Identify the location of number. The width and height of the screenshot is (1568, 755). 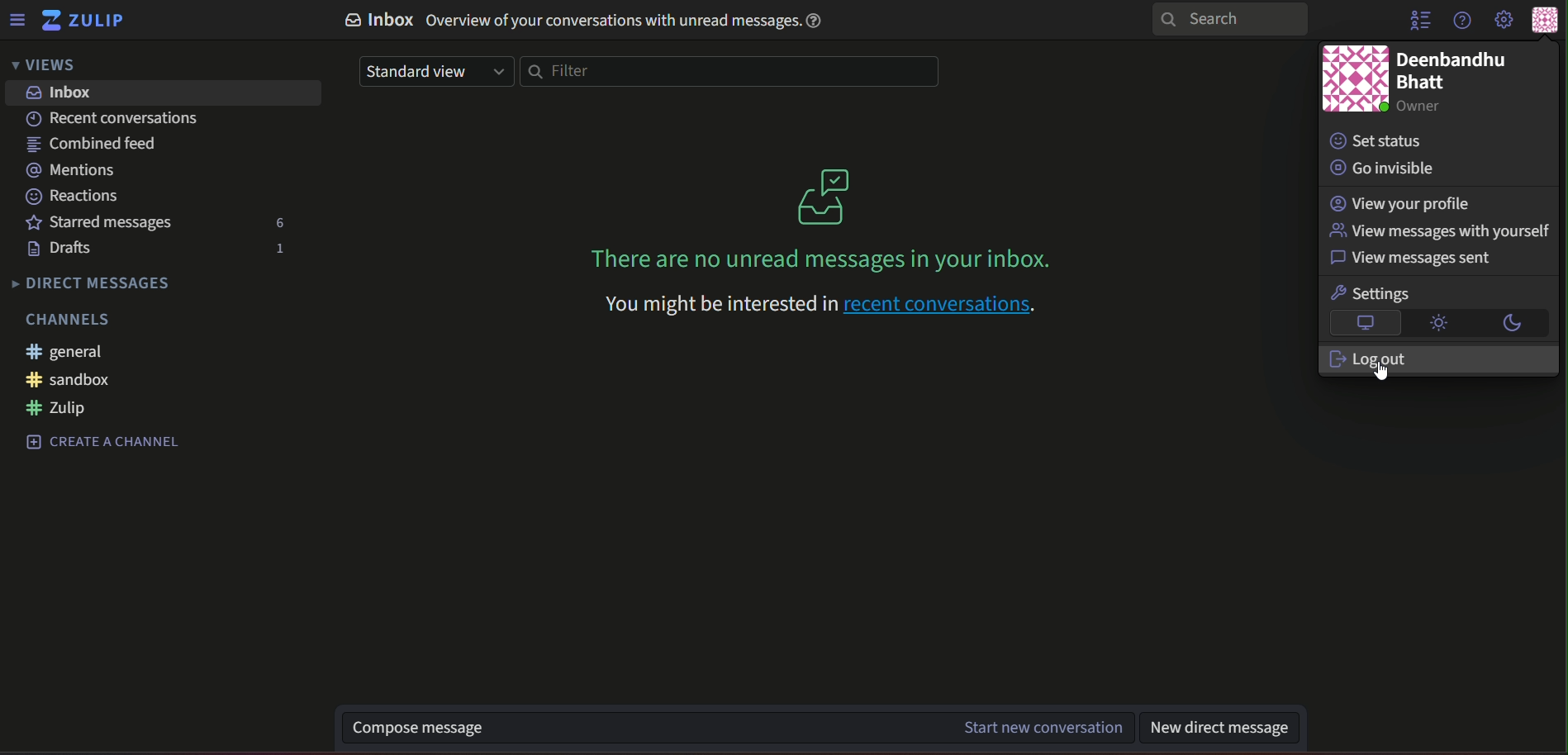
(283, 222).